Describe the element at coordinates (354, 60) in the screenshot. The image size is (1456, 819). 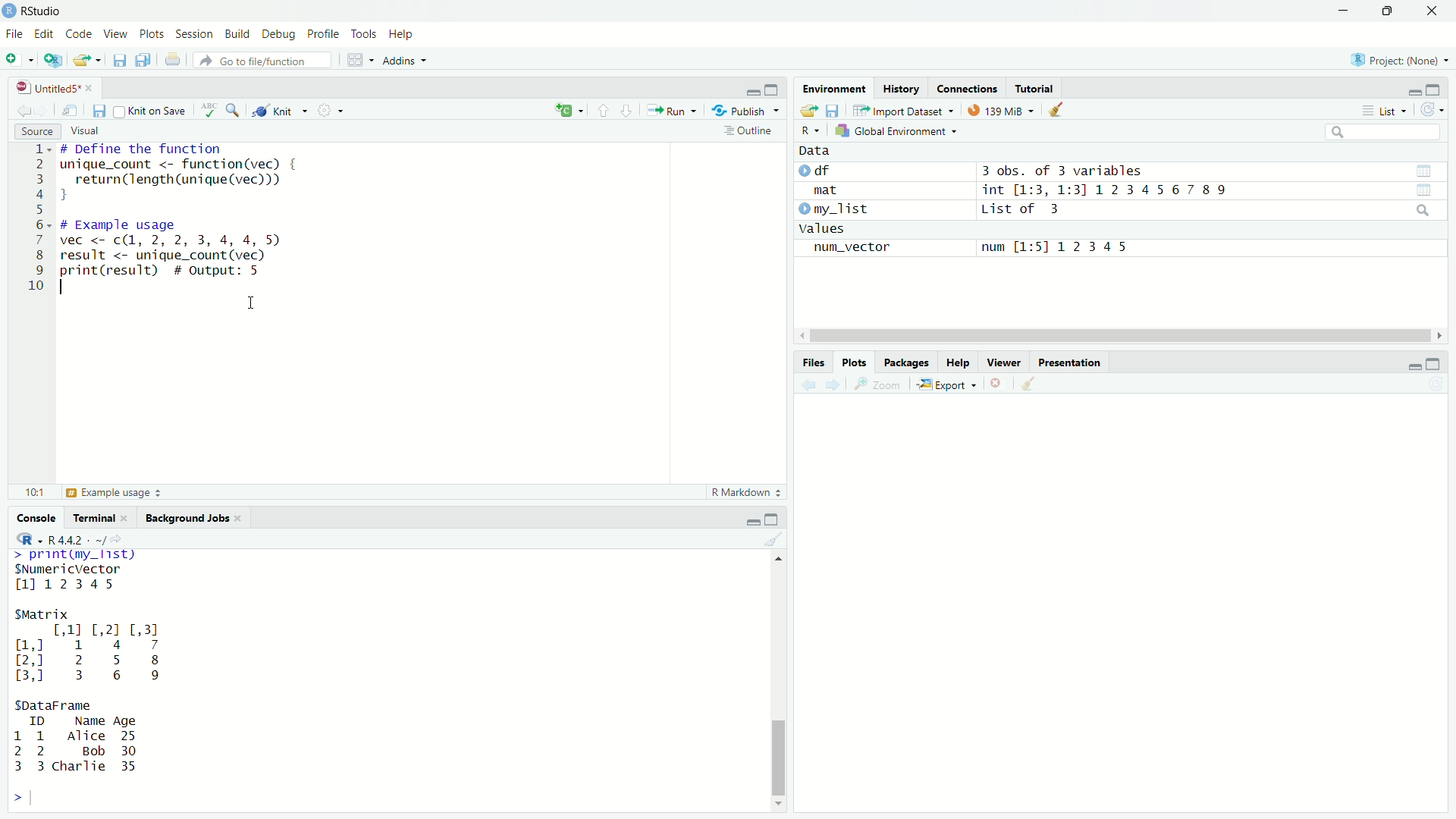
I see `workspace panes` at that location.